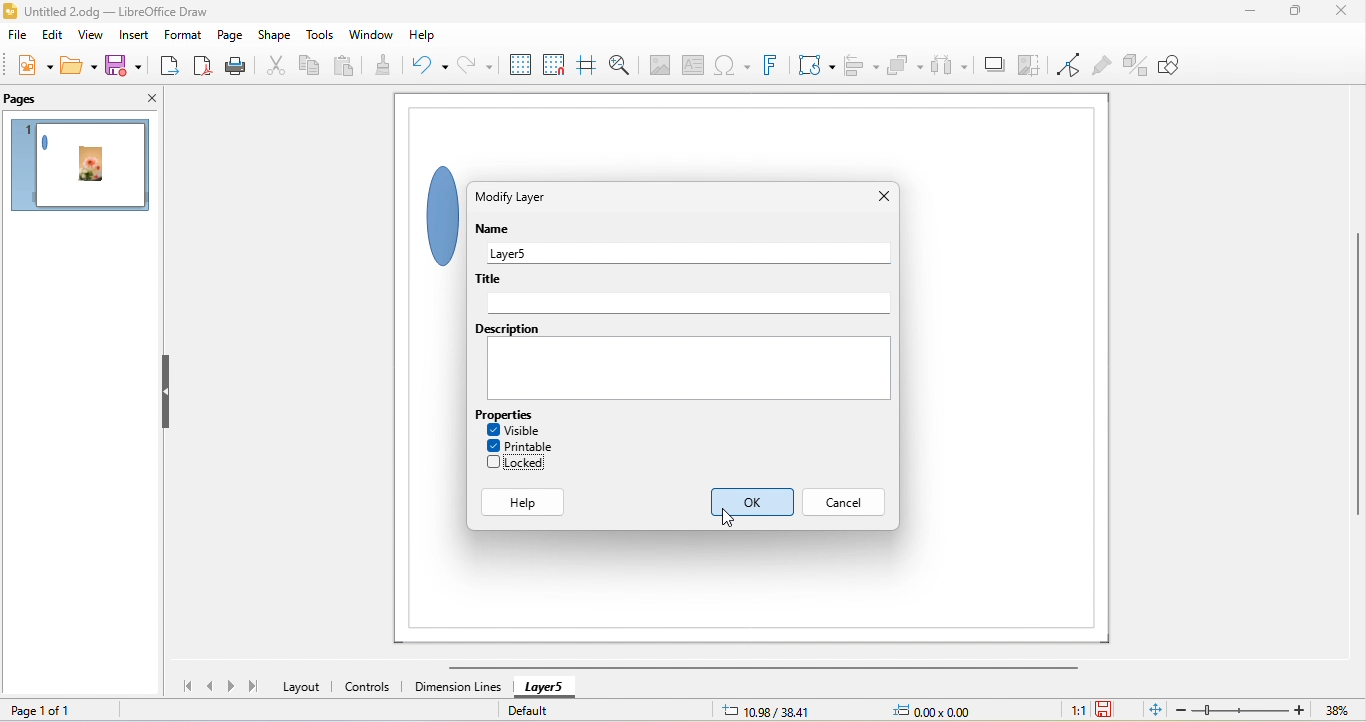  What do you see at coordinates (1069, 66) in the screenshot?
I see `toggle point edit mode` at bounding box center [1069, 66].